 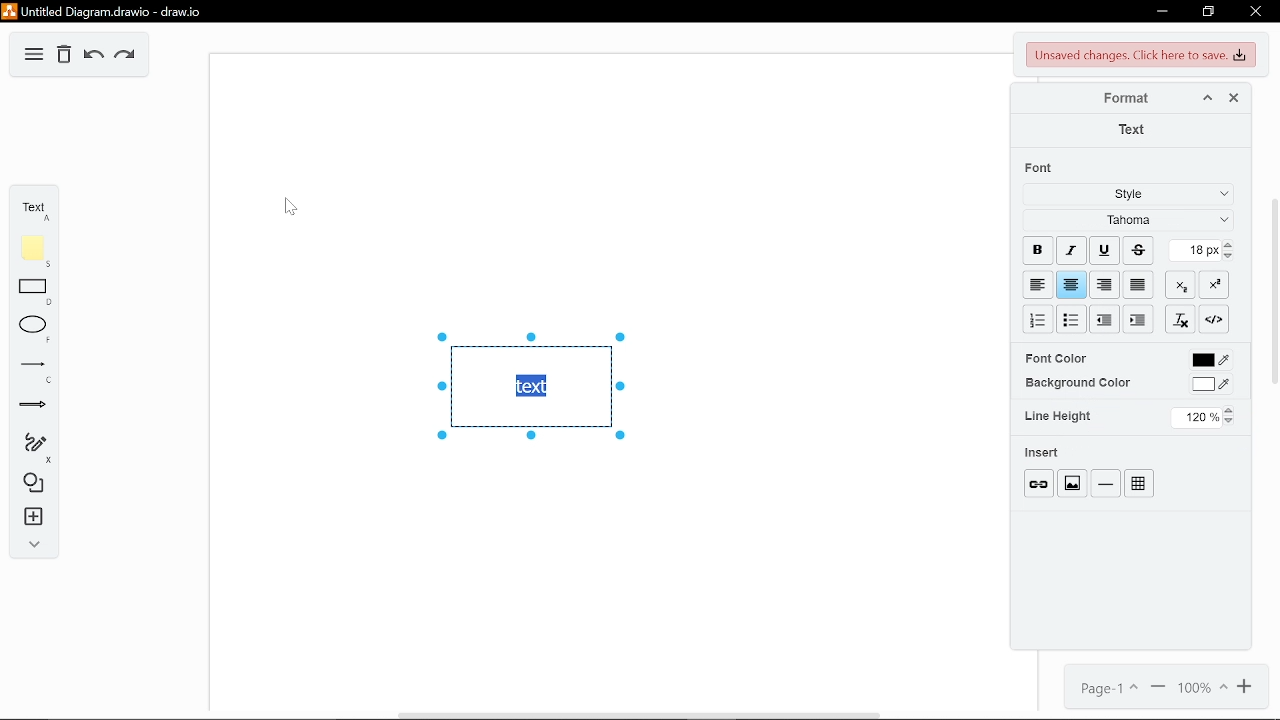 What do you see at coordinates (1072, 321) in the screenshot?
I see `bulleted list` at bounding box center [1072, 321].